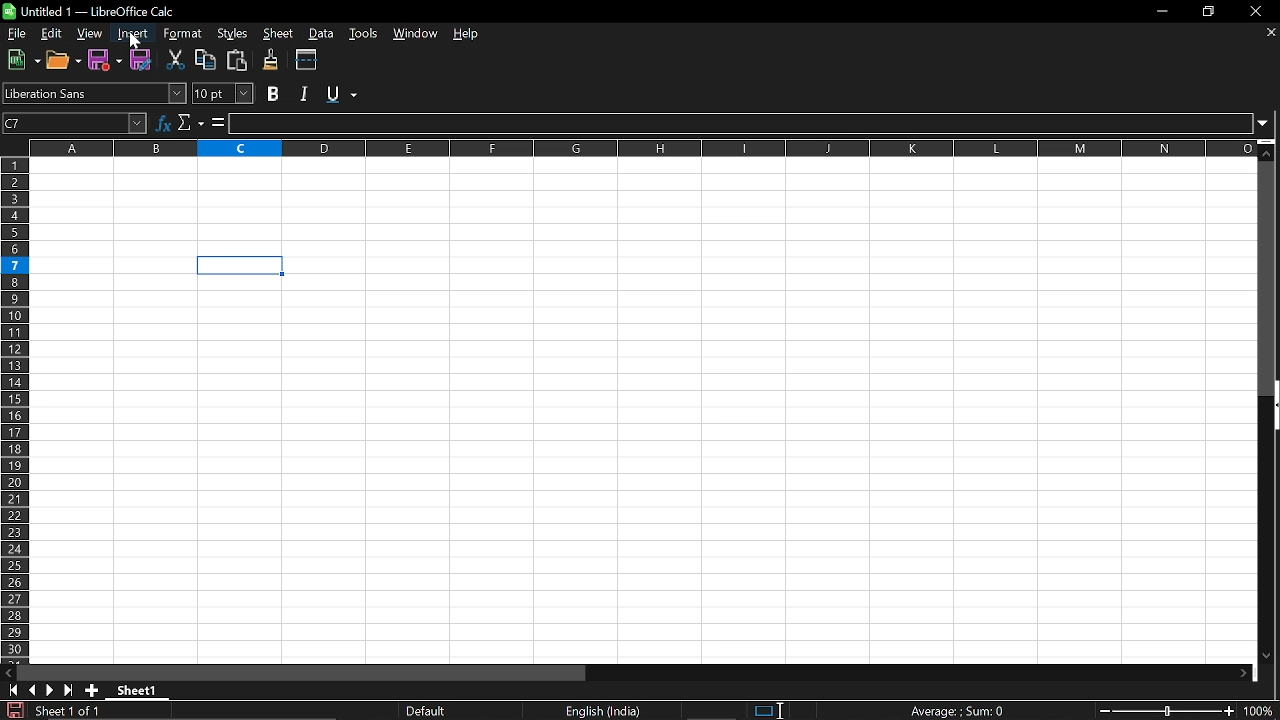  What do you see at coordinates (603, 712) in the screenshot?
I see `Language` at bounding box center [603, 712].